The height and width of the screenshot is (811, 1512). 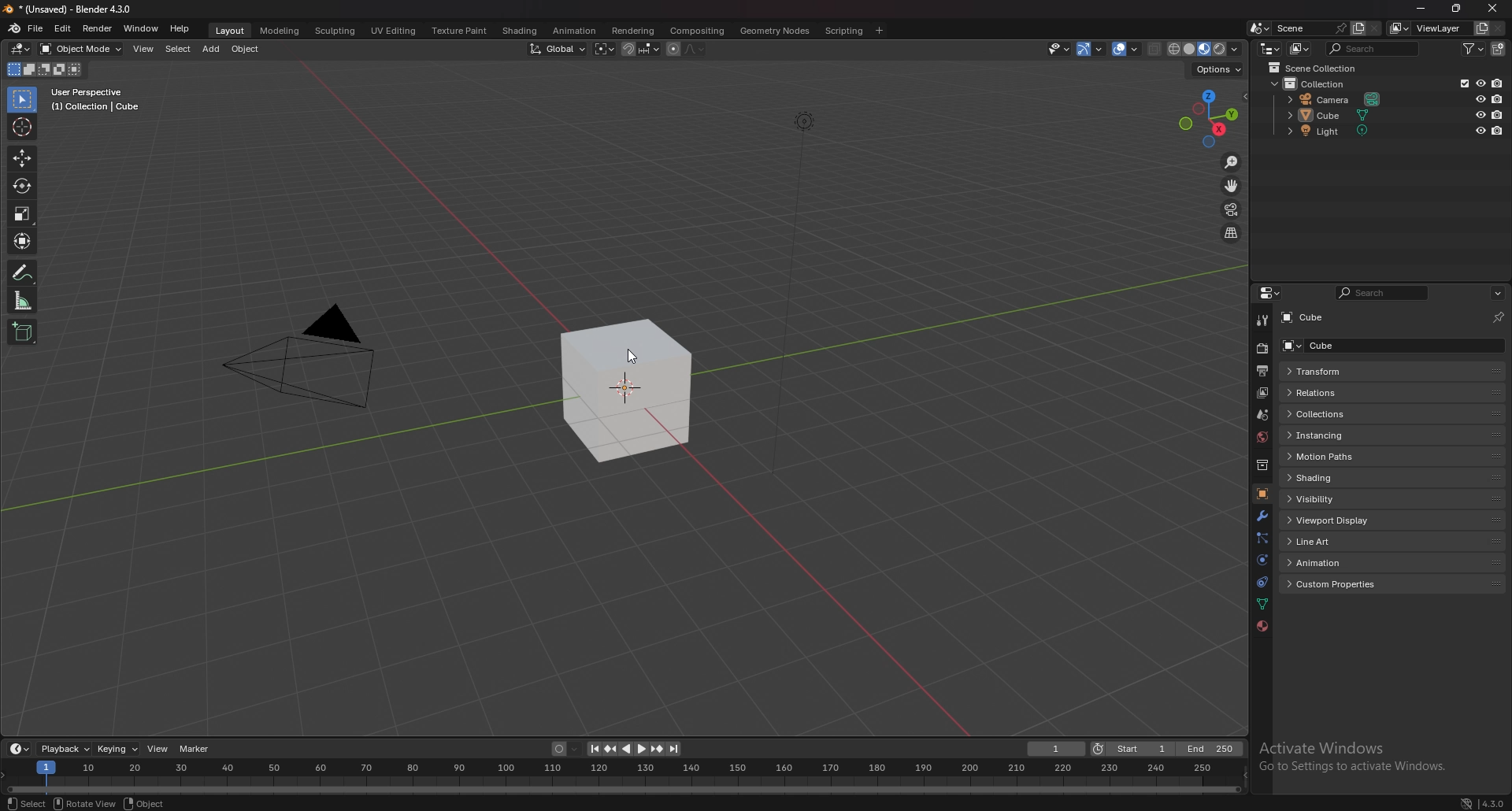 I want to click on camera view, so click(x=1232, y=208).